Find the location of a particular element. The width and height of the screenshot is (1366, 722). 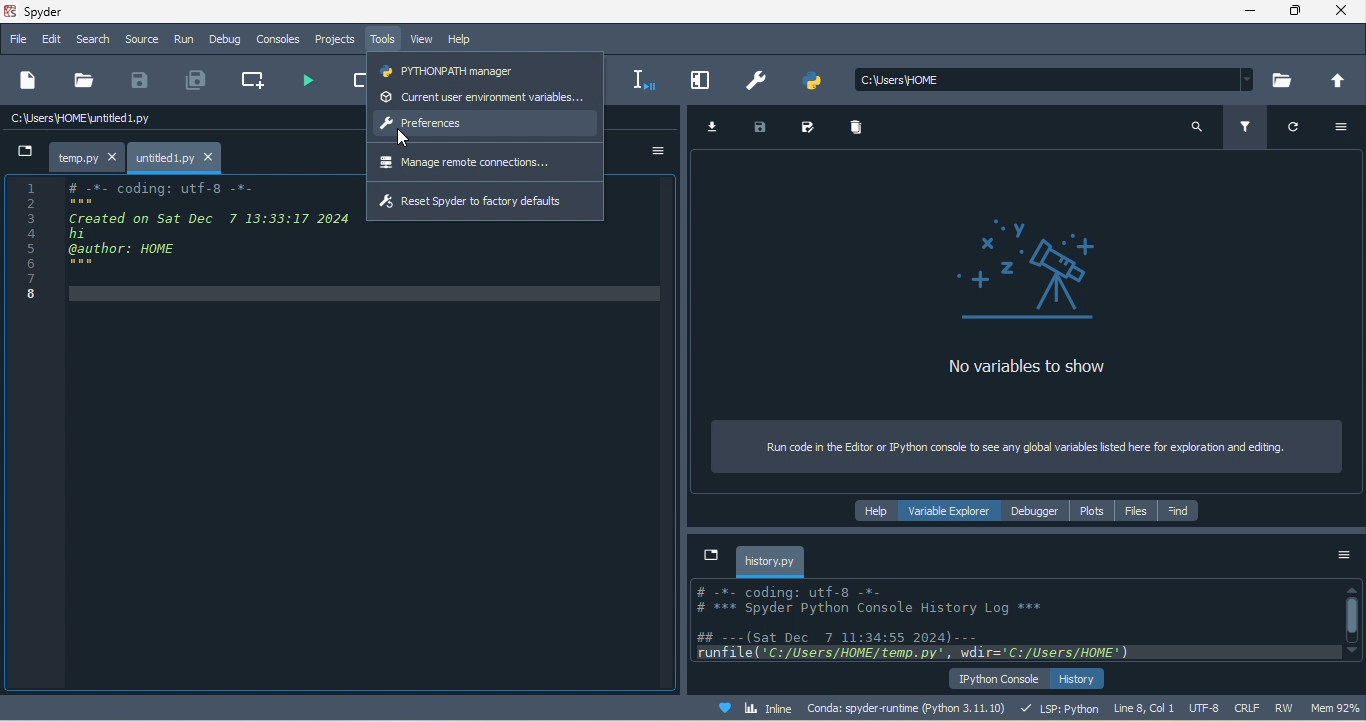

source is located at coordinates (140, 40).